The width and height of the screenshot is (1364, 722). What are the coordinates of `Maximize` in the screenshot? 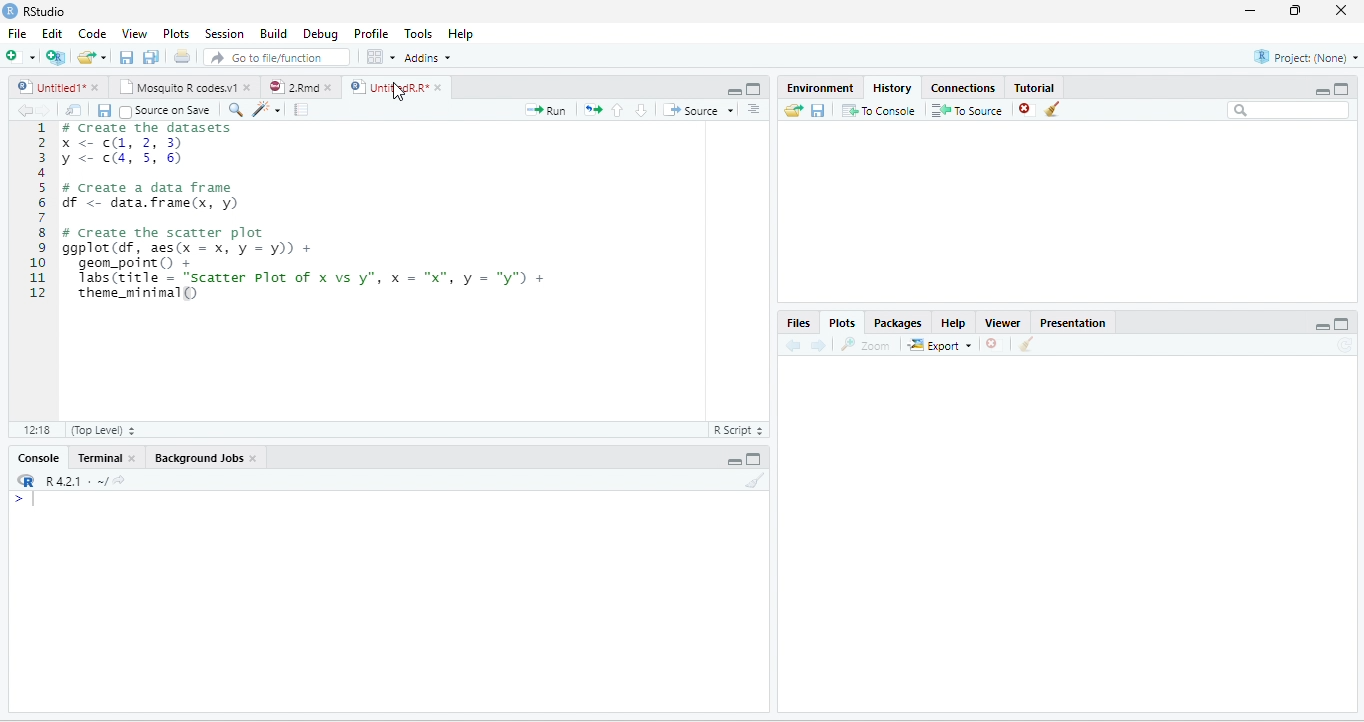 It's located at (754, 458).